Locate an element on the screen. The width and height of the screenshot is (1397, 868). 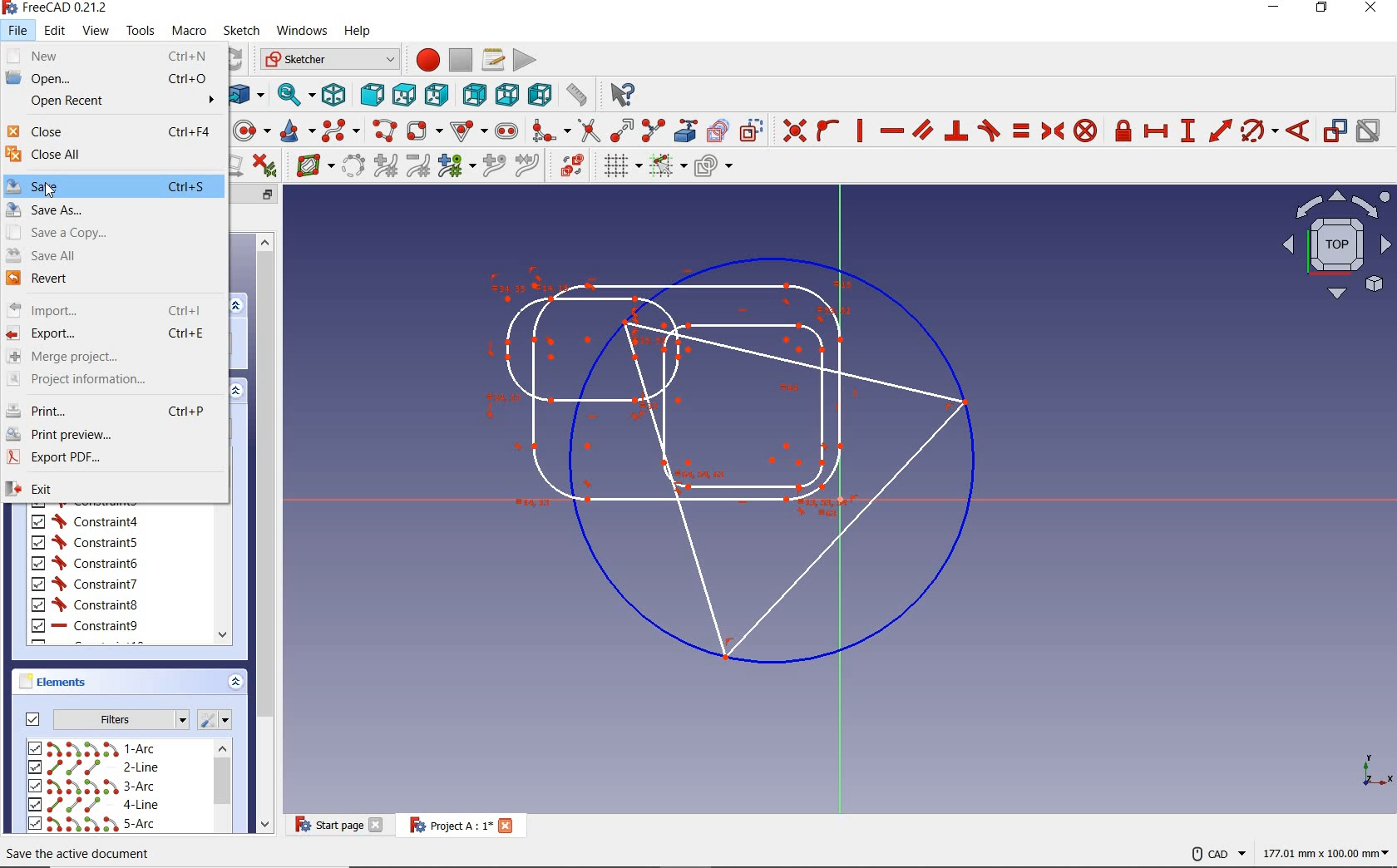
what's this? is located at coordinates (622, 95).